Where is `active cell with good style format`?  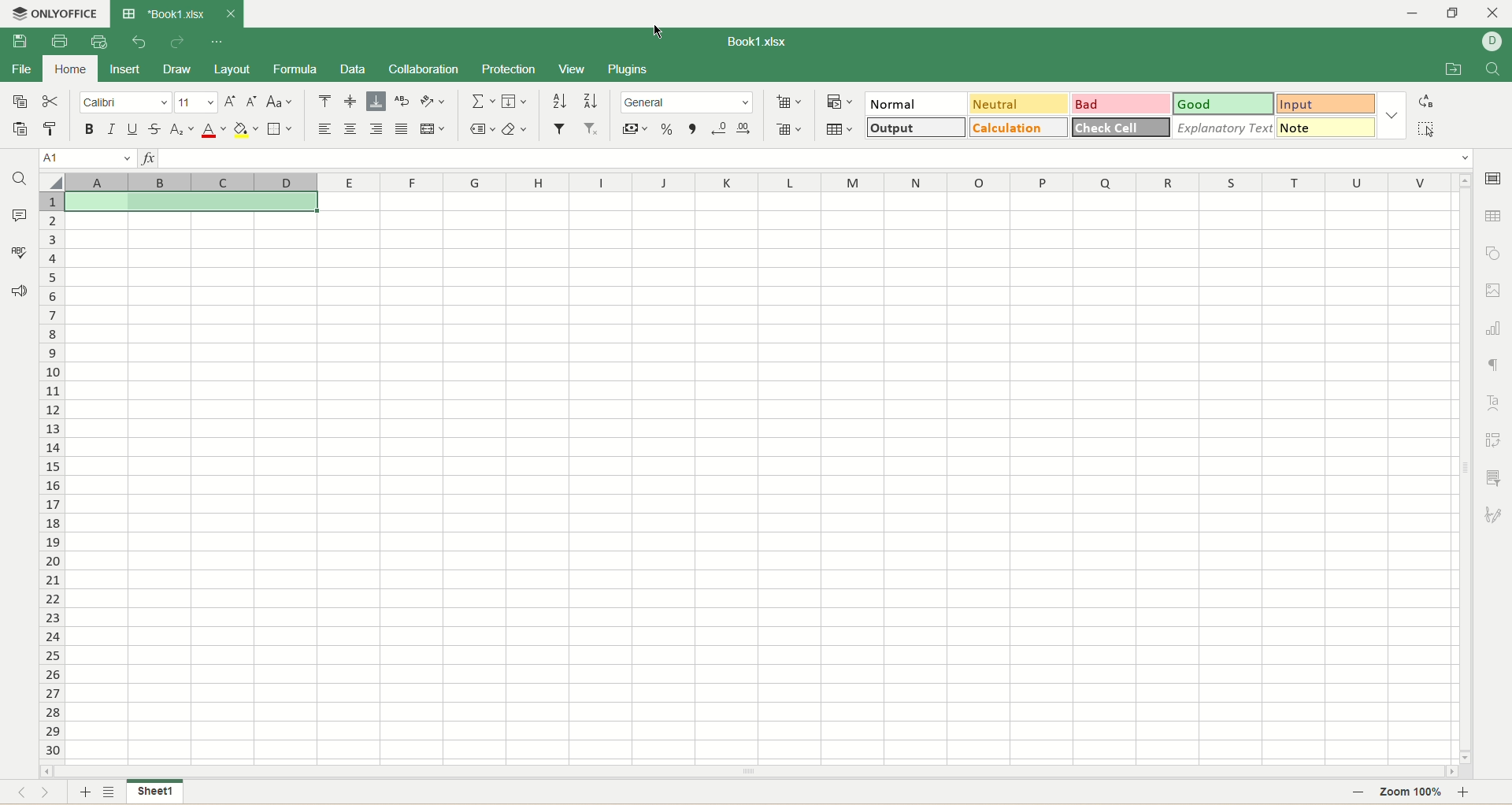
active cell with good style format is located at coordinates (191, 202).